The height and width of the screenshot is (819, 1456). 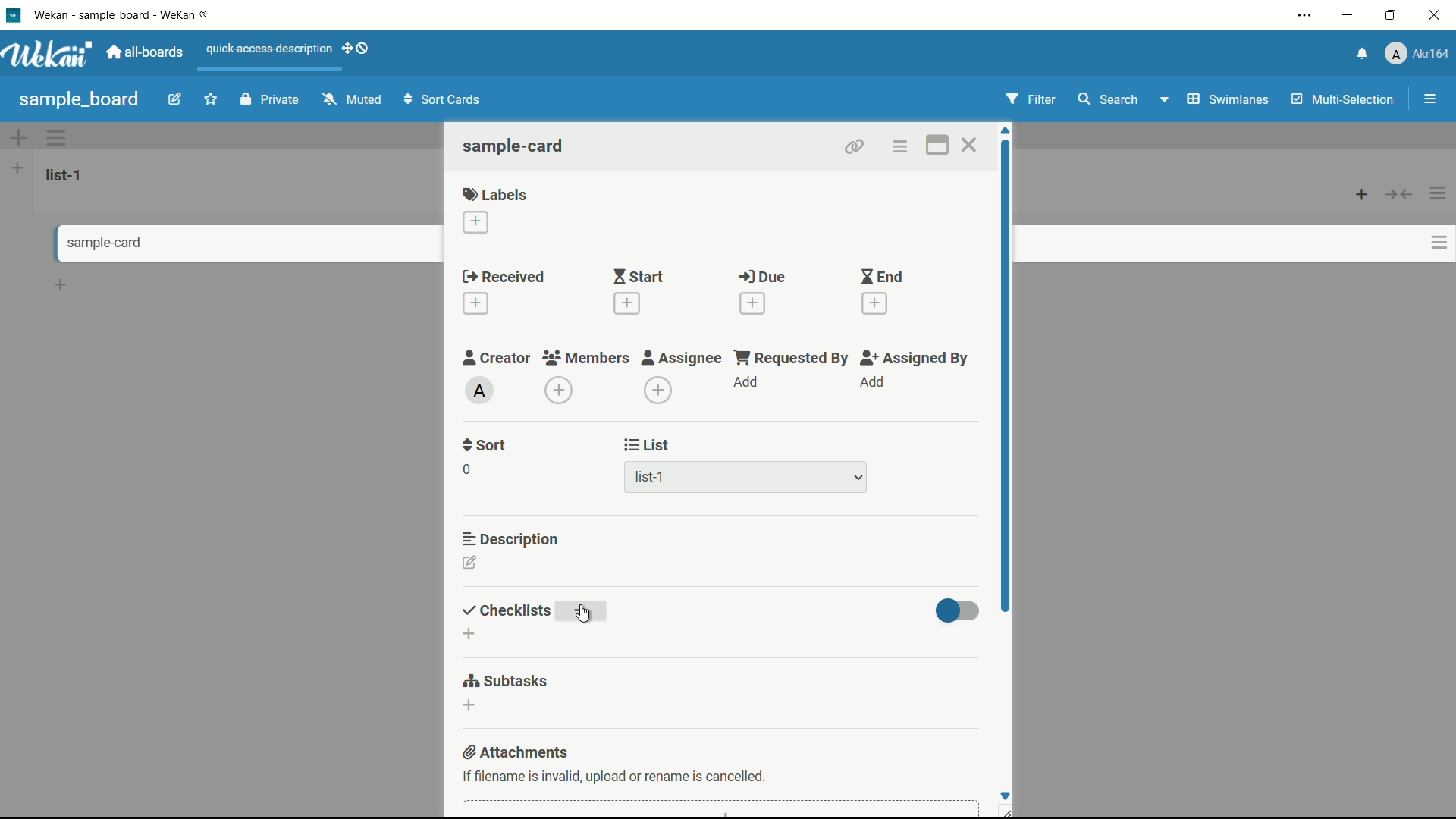 What do you see at coordinates (617, 779) in the screenshot?
I see `text` at bounding box center [617, 779].